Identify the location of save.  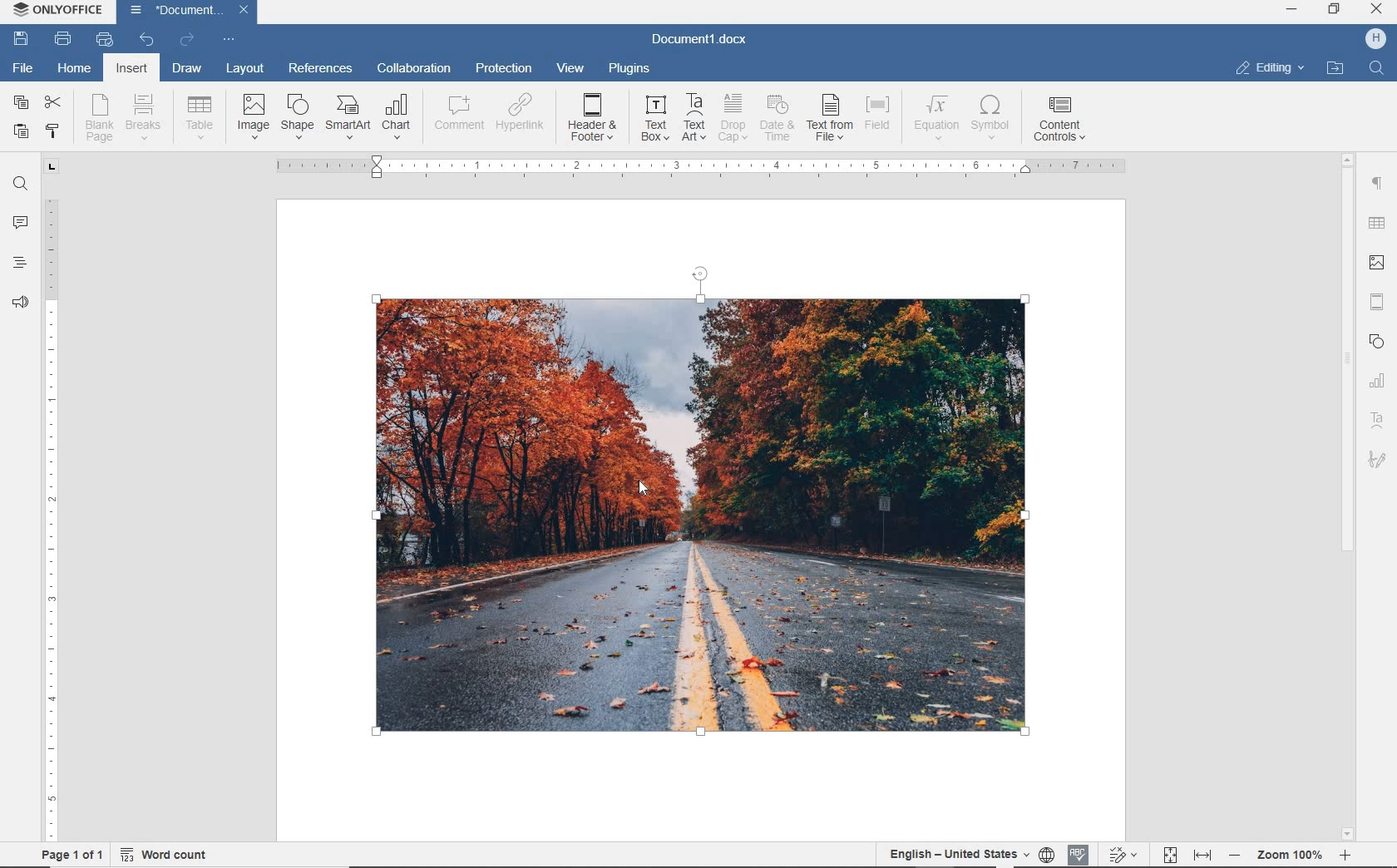
(20, 40).